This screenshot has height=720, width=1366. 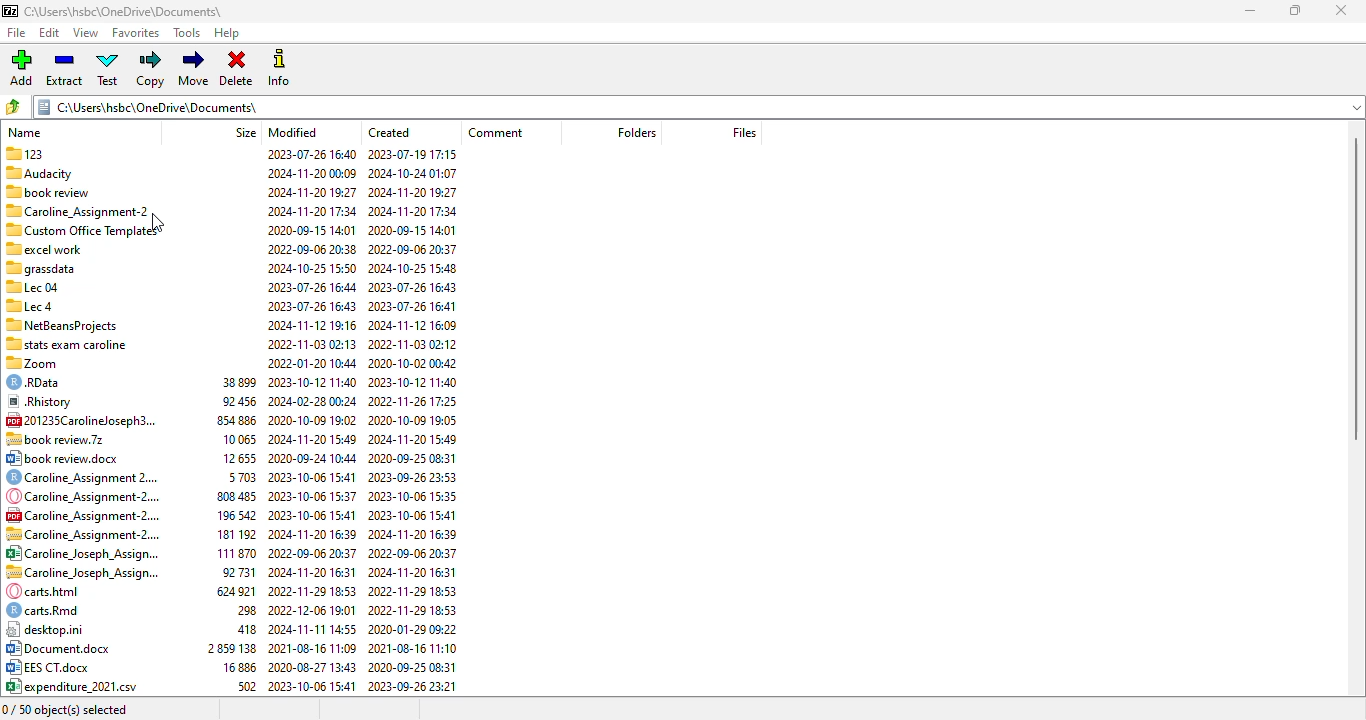 What do you see at coordinates (311, 686) in the screenshot?
I see `2023-10-06 15:41` at bounding box center [311, 686].